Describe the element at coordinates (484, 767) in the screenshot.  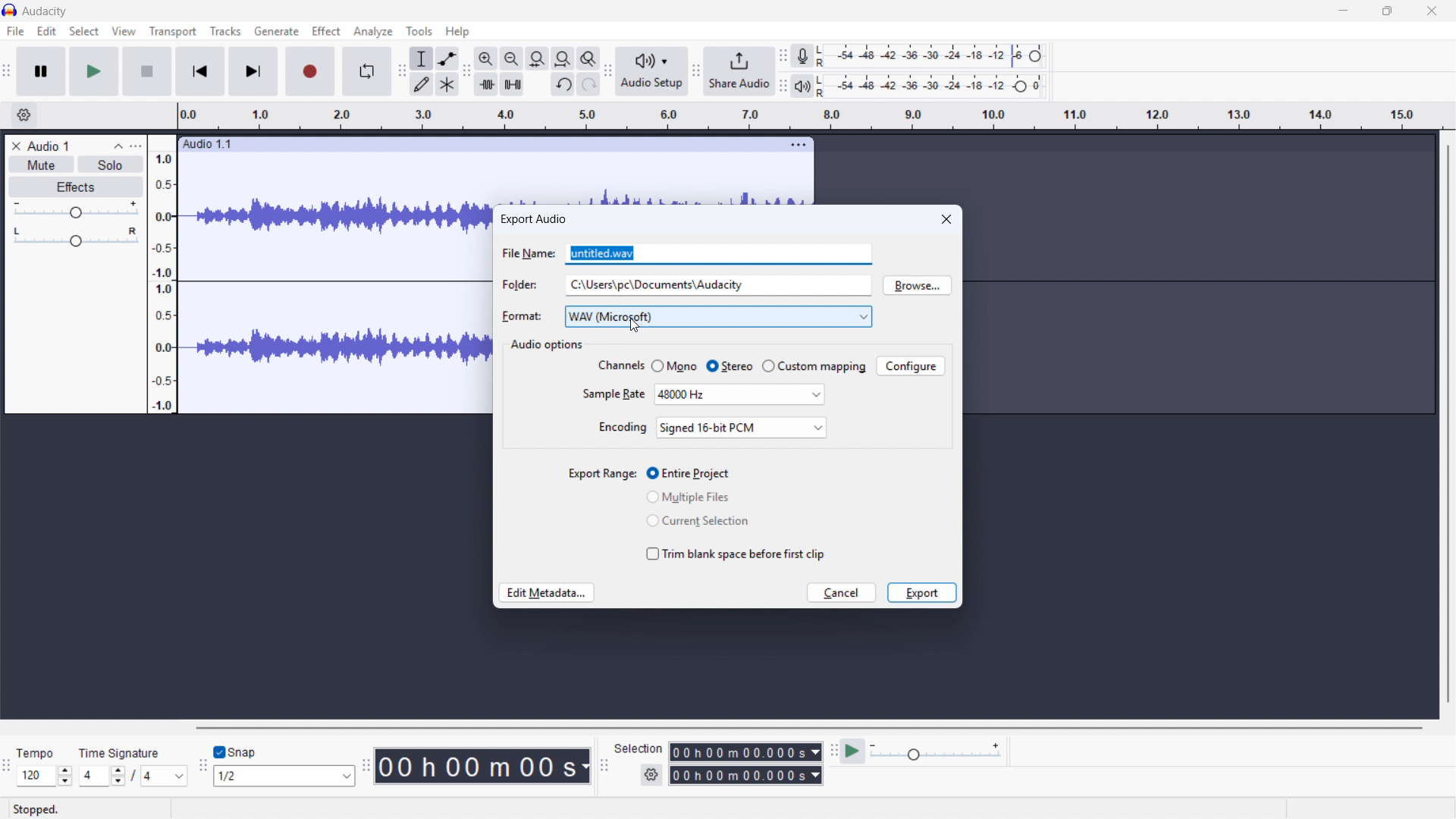
I see `Timestamp ` at that location.